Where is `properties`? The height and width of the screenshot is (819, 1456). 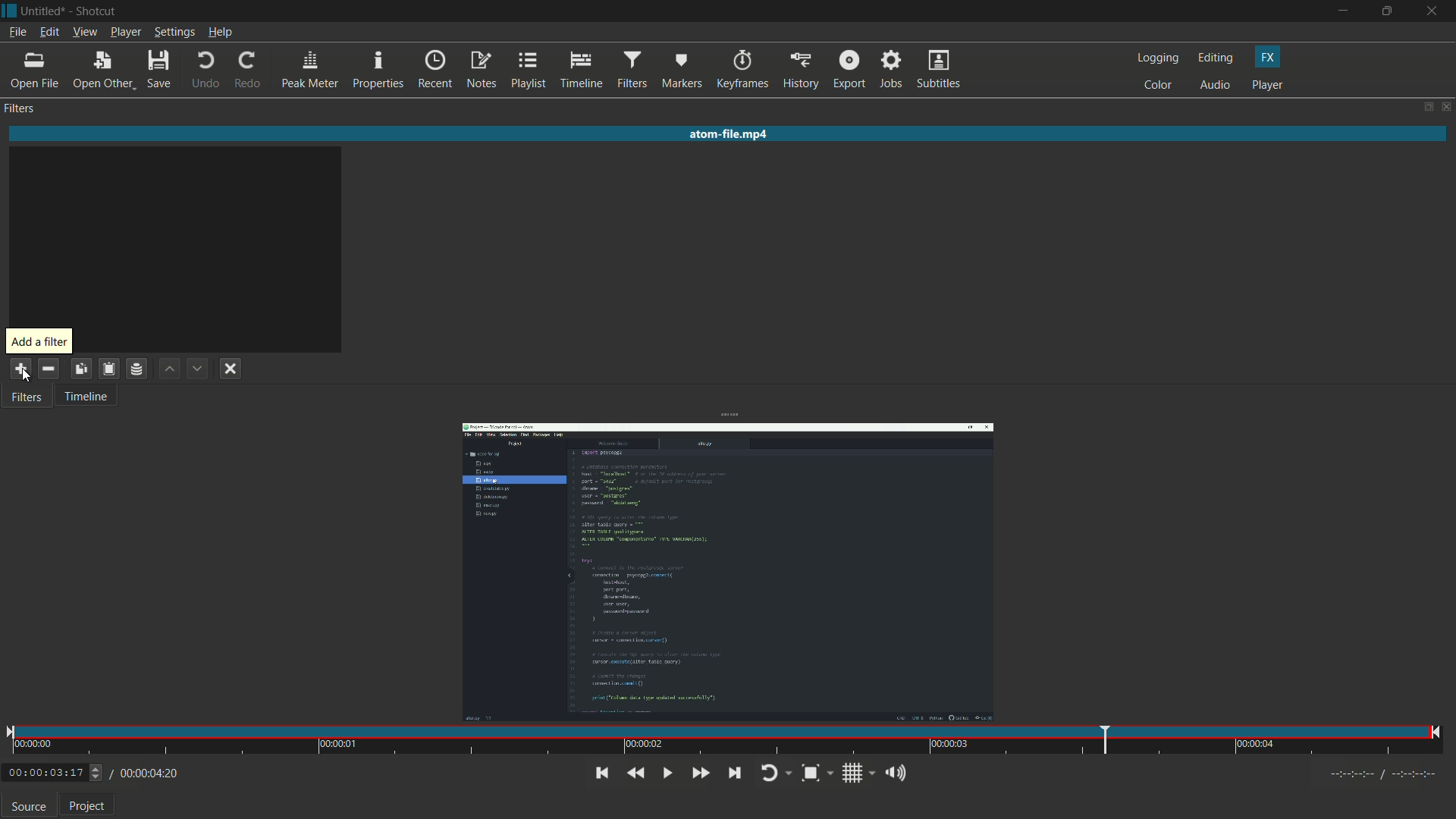 properties is located at coordinates (379, 71).